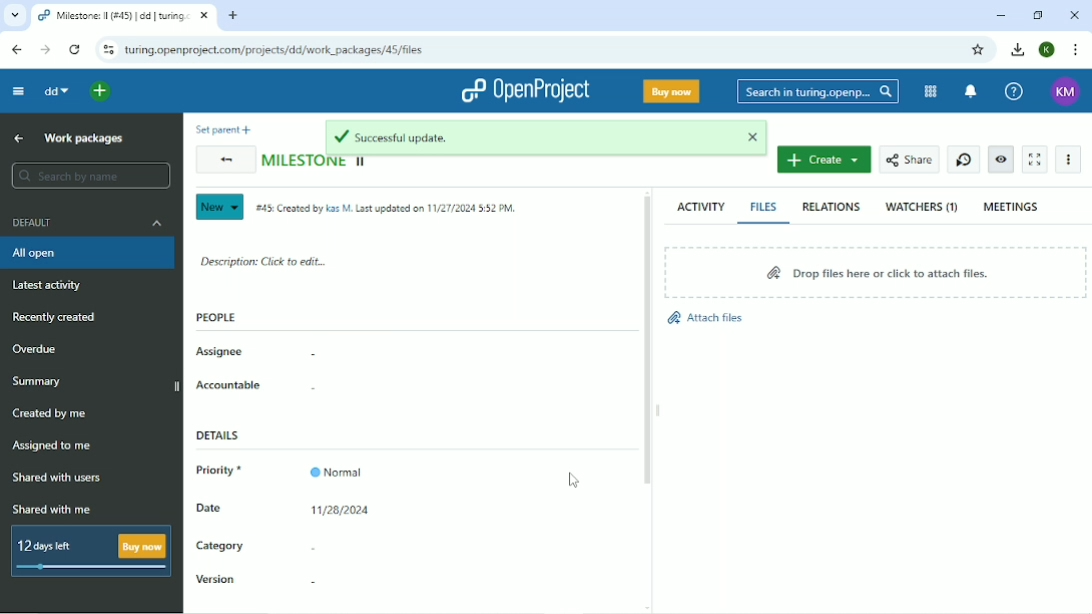 This screenshot has width=1092, height=614. I want to click on Version, so click(217, 581).